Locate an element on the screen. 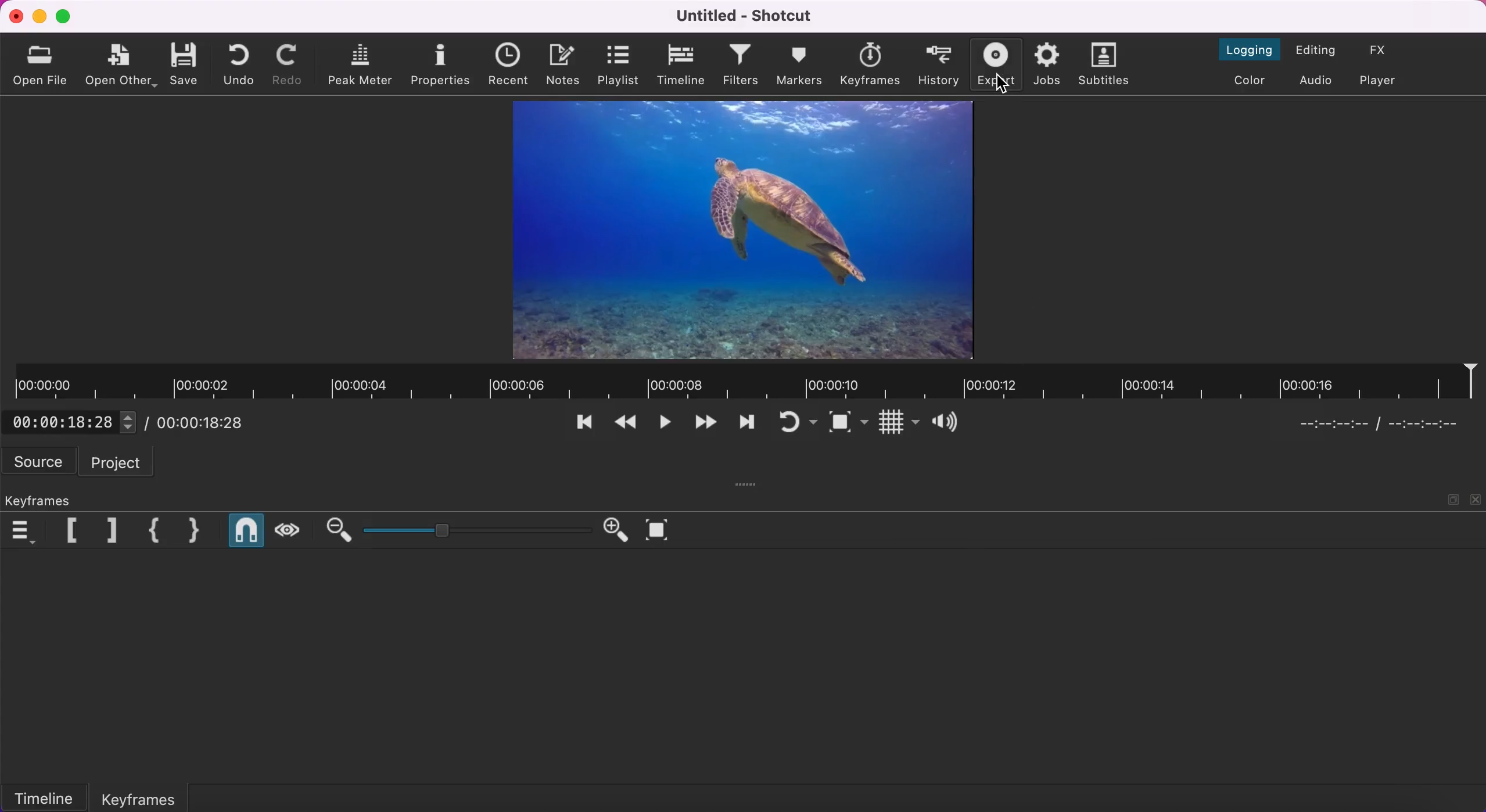 The height and width of the screenshot is (812, 1486). skip to the previous point is located at coordinates (588, 425).